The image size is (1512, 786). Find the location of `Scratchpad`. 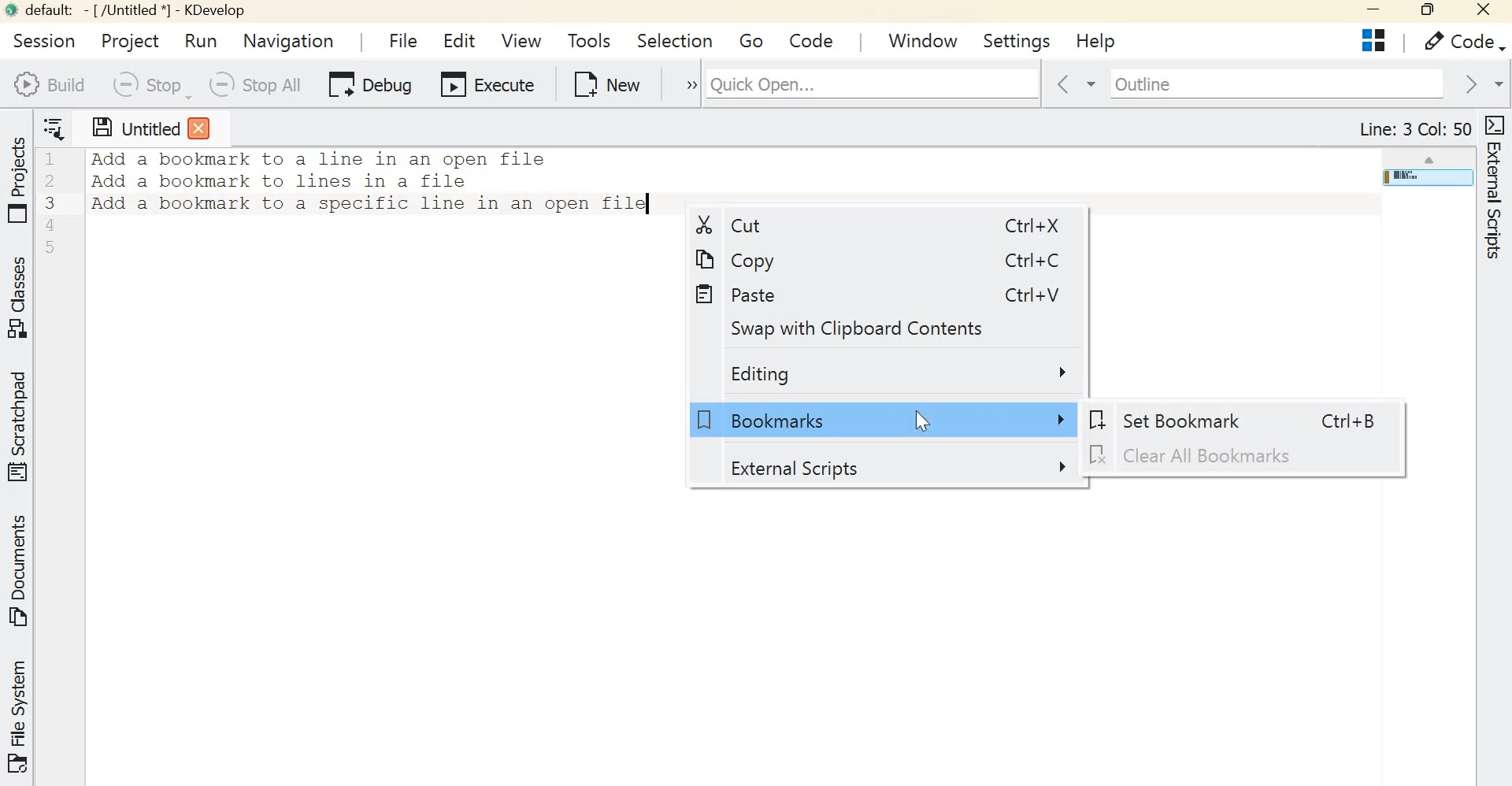

Scratchpad is located at coordinates (20, 427).